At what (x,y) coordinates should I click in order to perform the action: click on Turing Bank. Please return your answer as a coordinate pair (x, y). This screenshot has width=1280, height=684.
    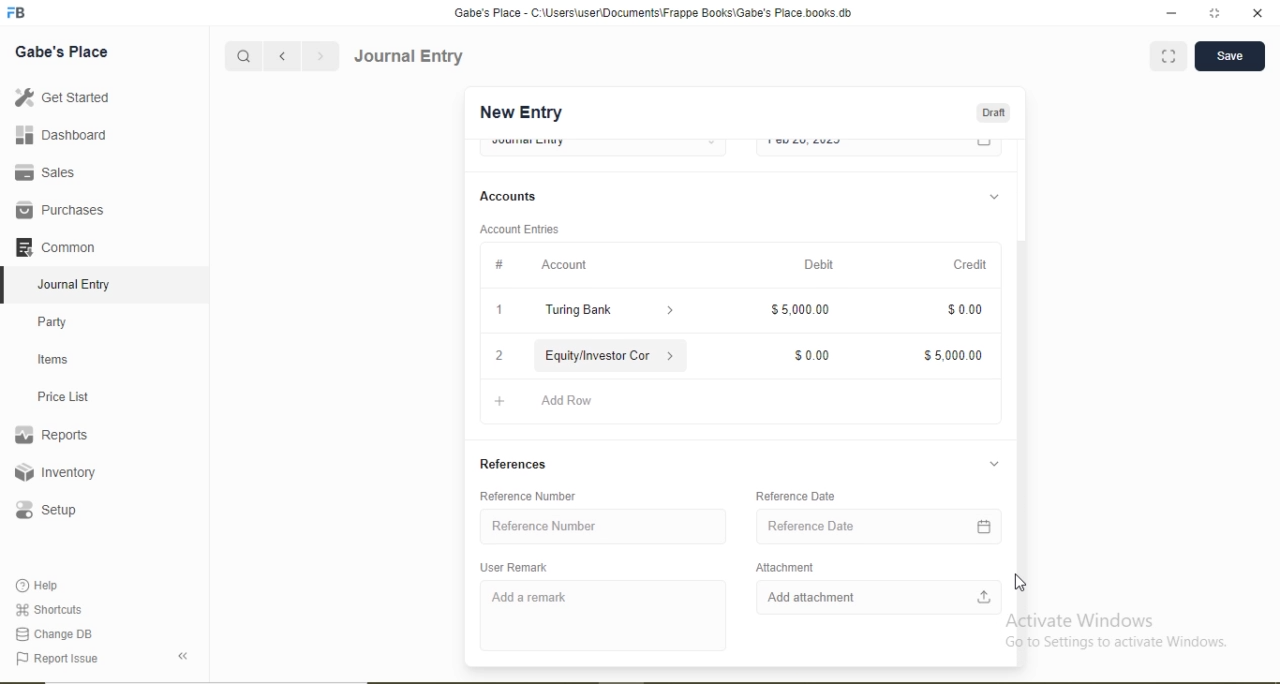
    Looking at the image, I should click on (579, 311).